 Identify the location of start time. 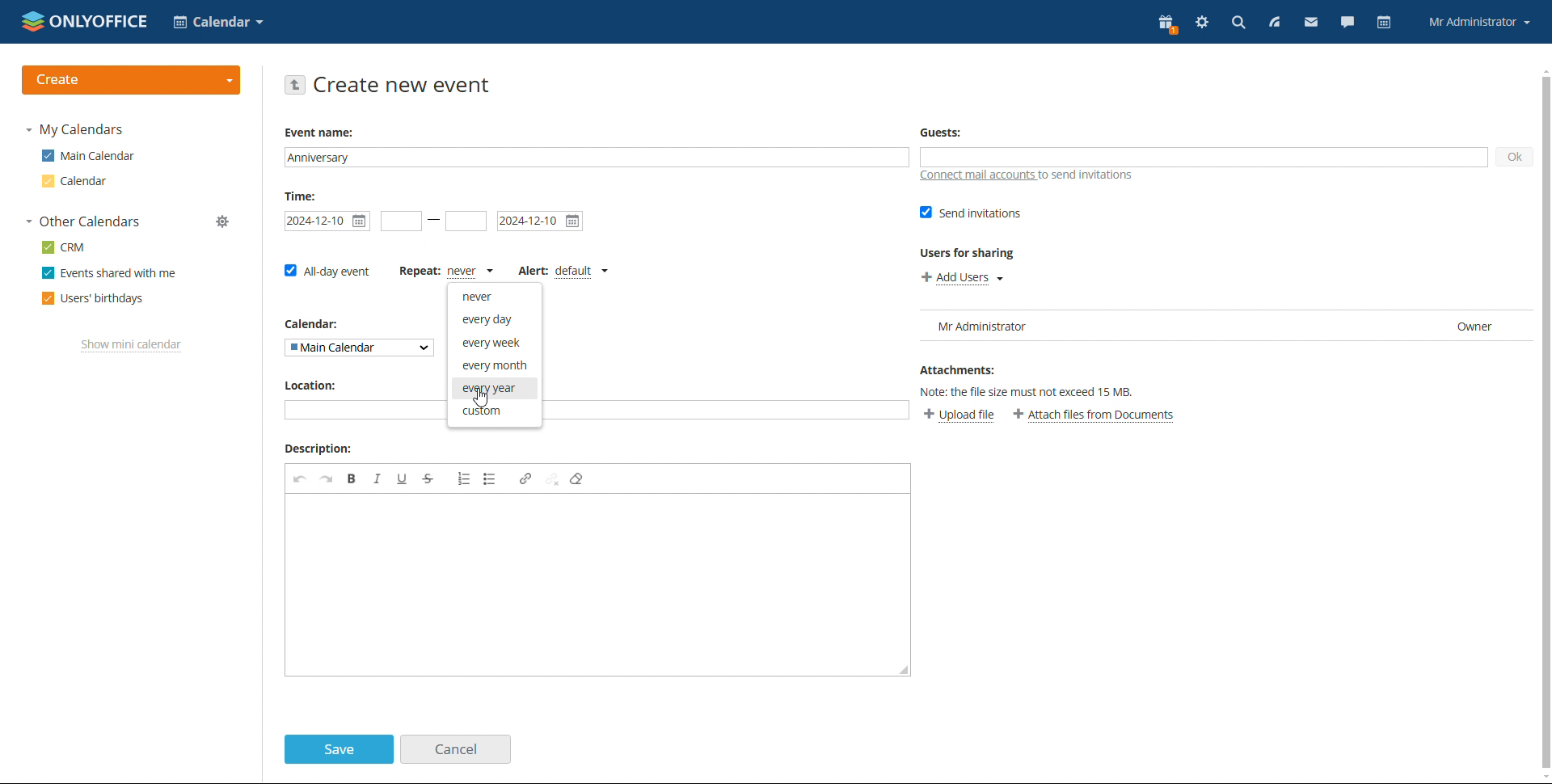
(328, 221).